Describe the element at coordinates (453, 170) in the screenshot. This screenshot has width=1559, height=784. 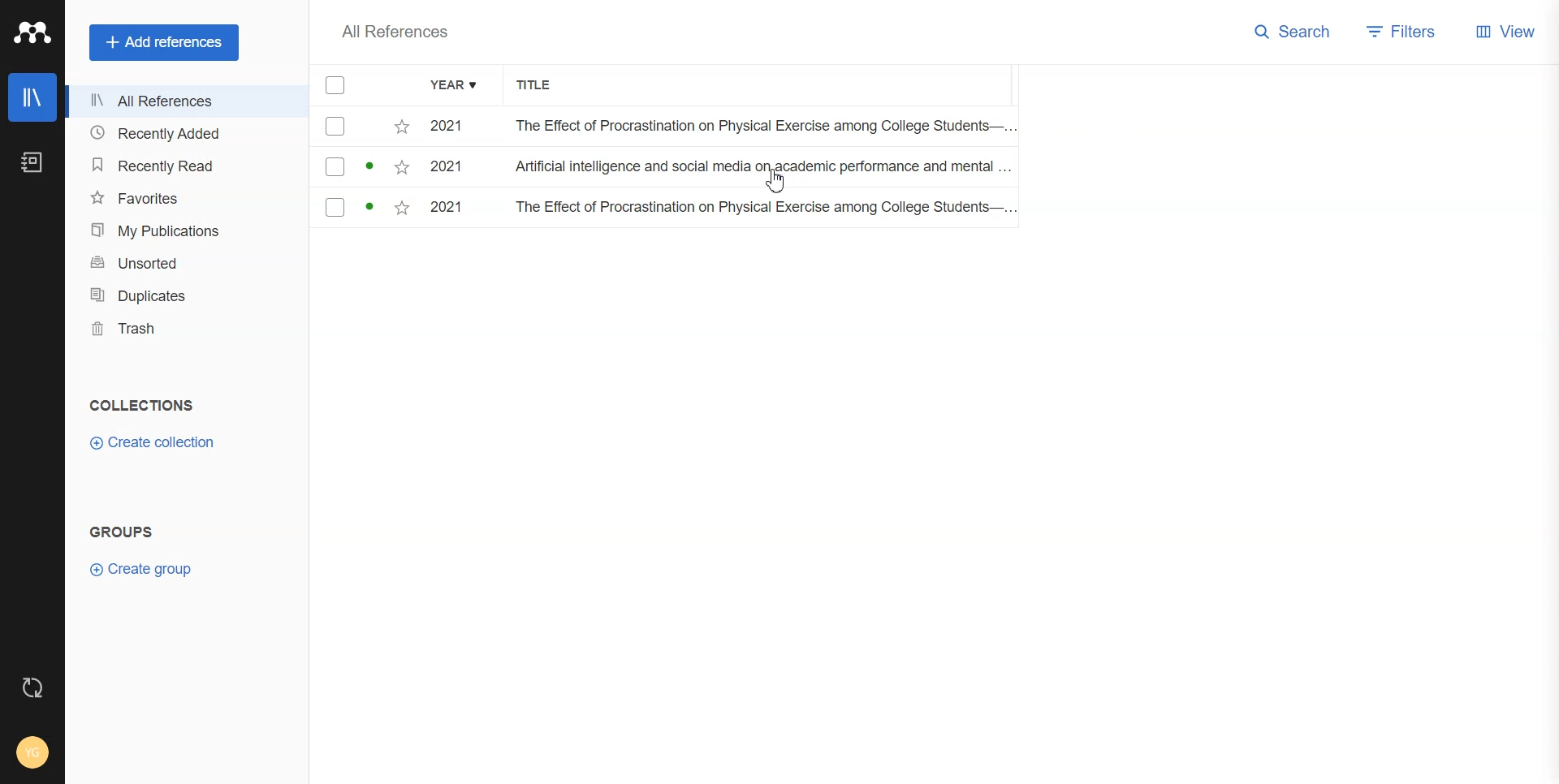
I see `2021` at that location.